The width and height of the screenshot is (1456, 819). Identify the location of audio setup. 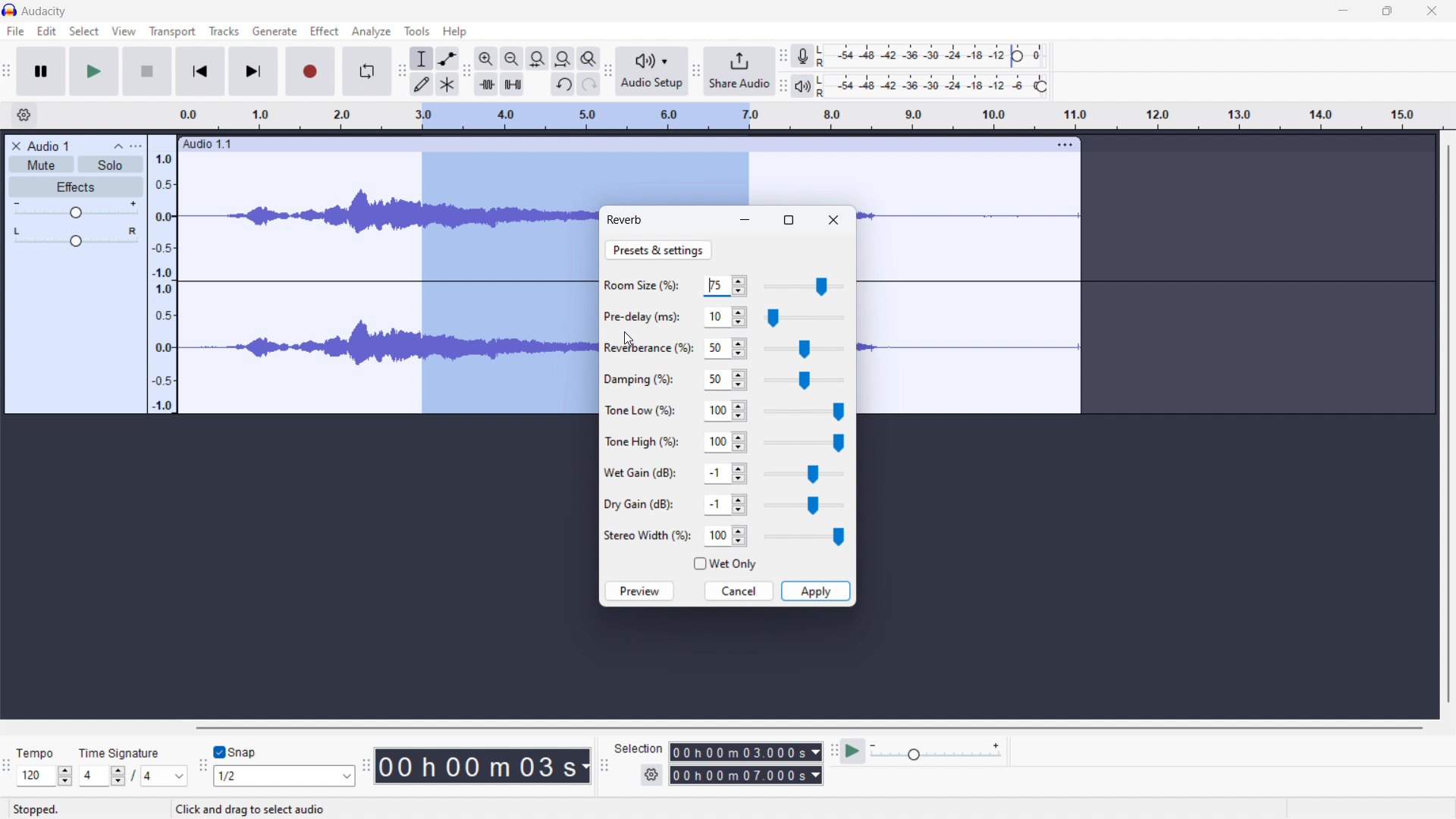
(652, 73).